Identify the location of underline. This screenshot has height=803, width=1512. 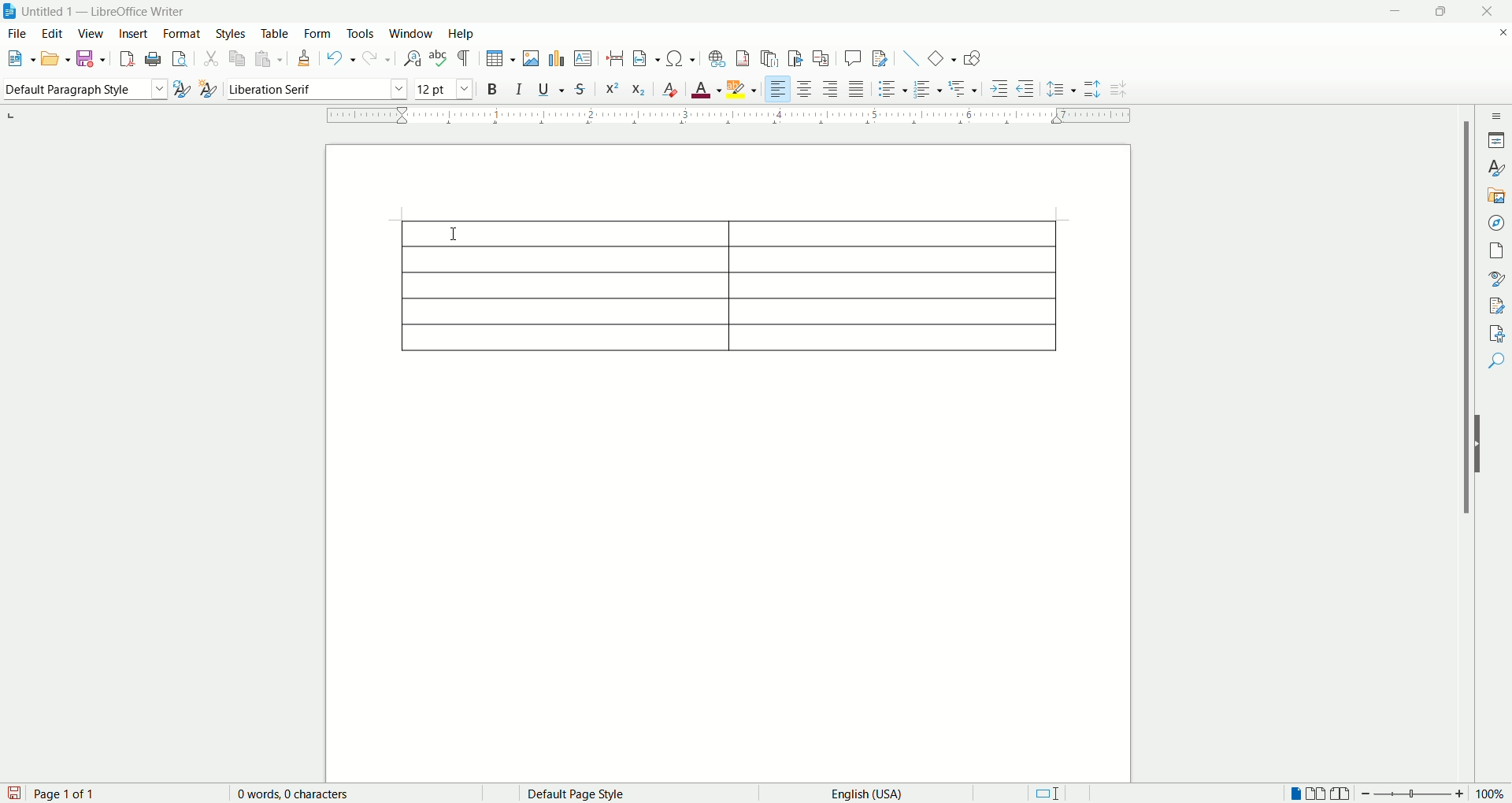
(551, 87).